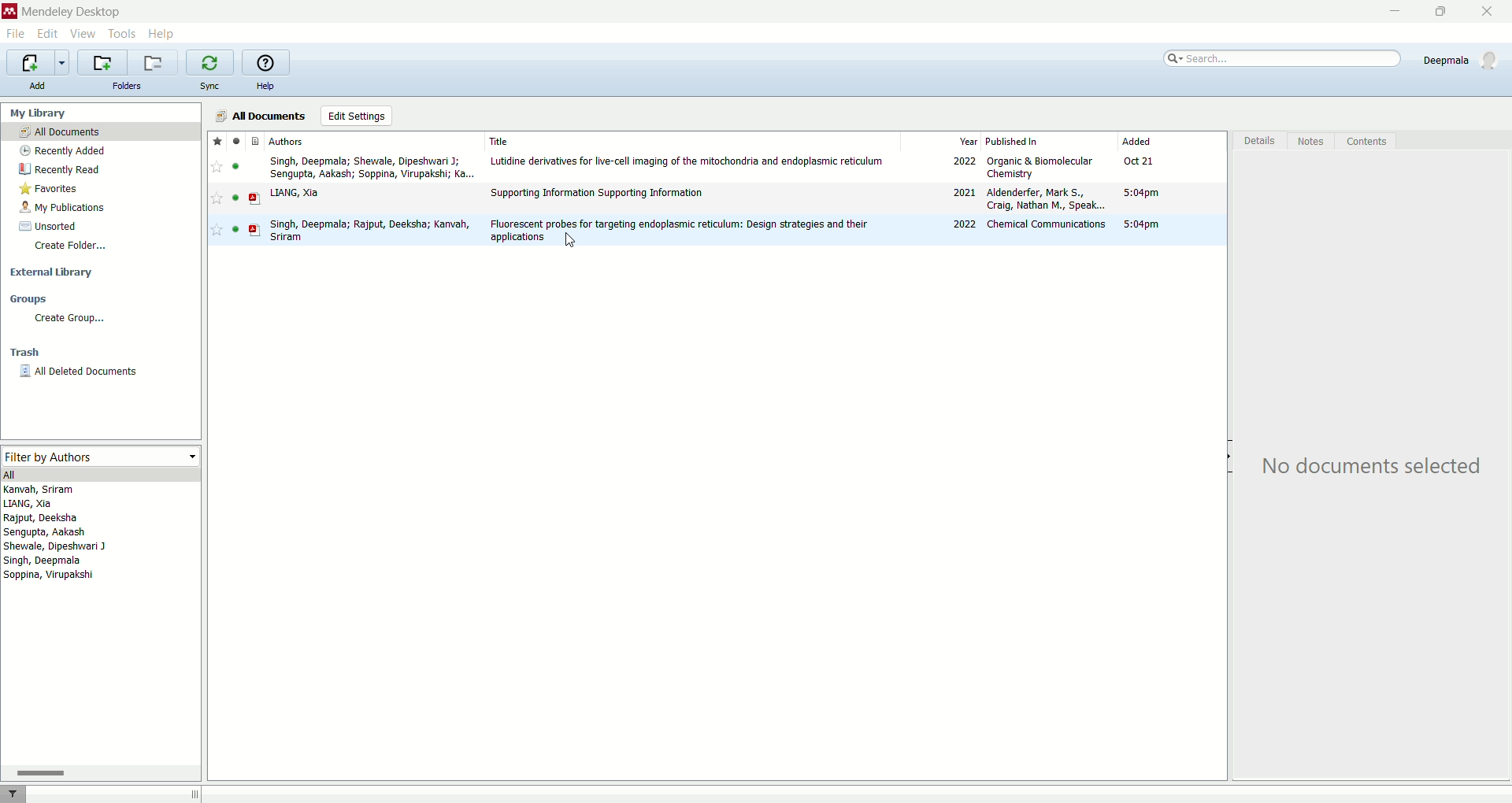  Describe the element at coordinates (215, 201) in the screenshot. I see `favorite` at that location.